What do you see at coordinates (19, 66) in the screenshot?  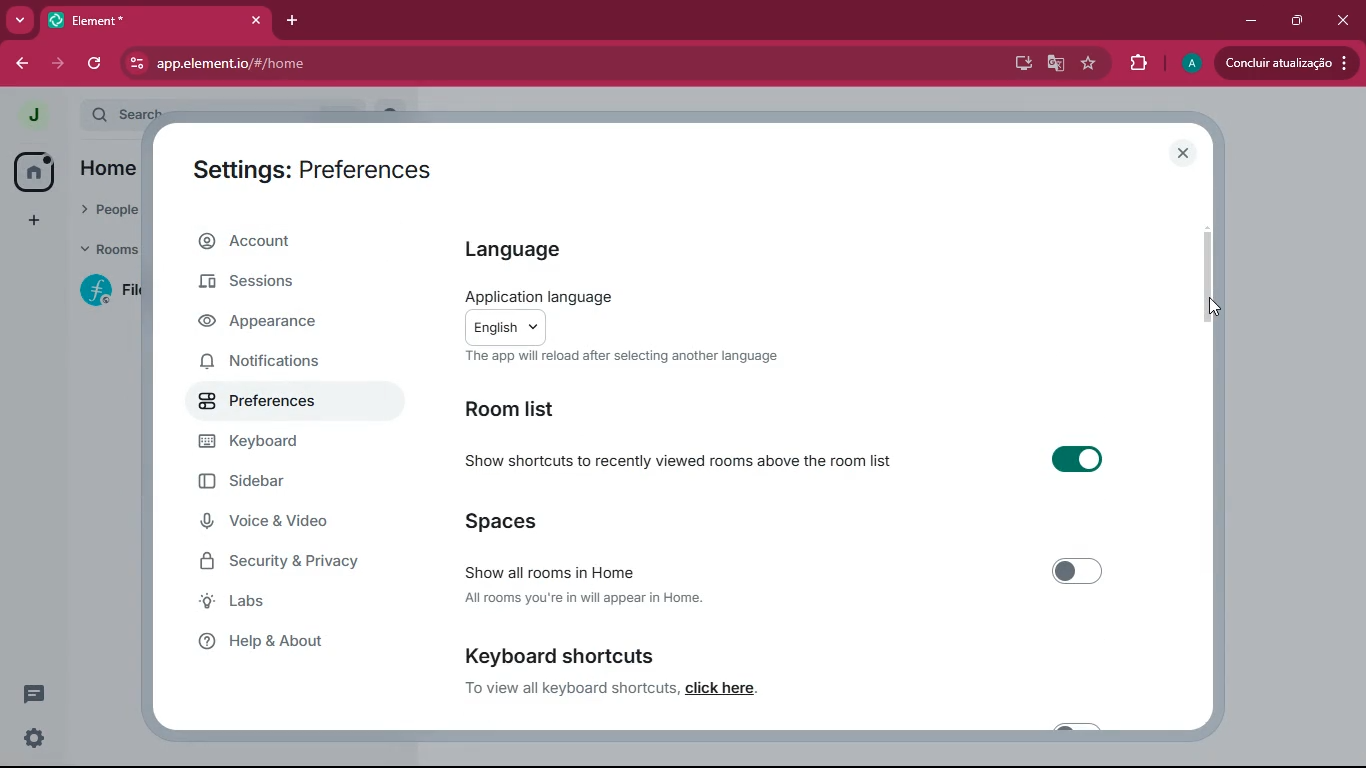 I see `back` at bounding box center [19, 66].